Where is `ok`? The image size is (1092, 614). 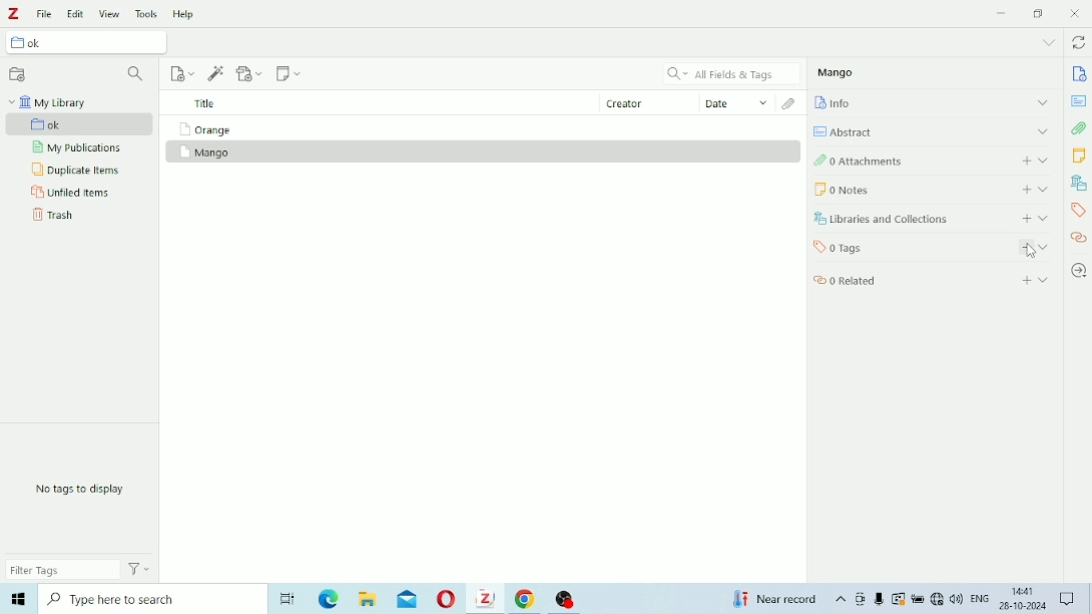 ok is located at coordinates (81, 124).